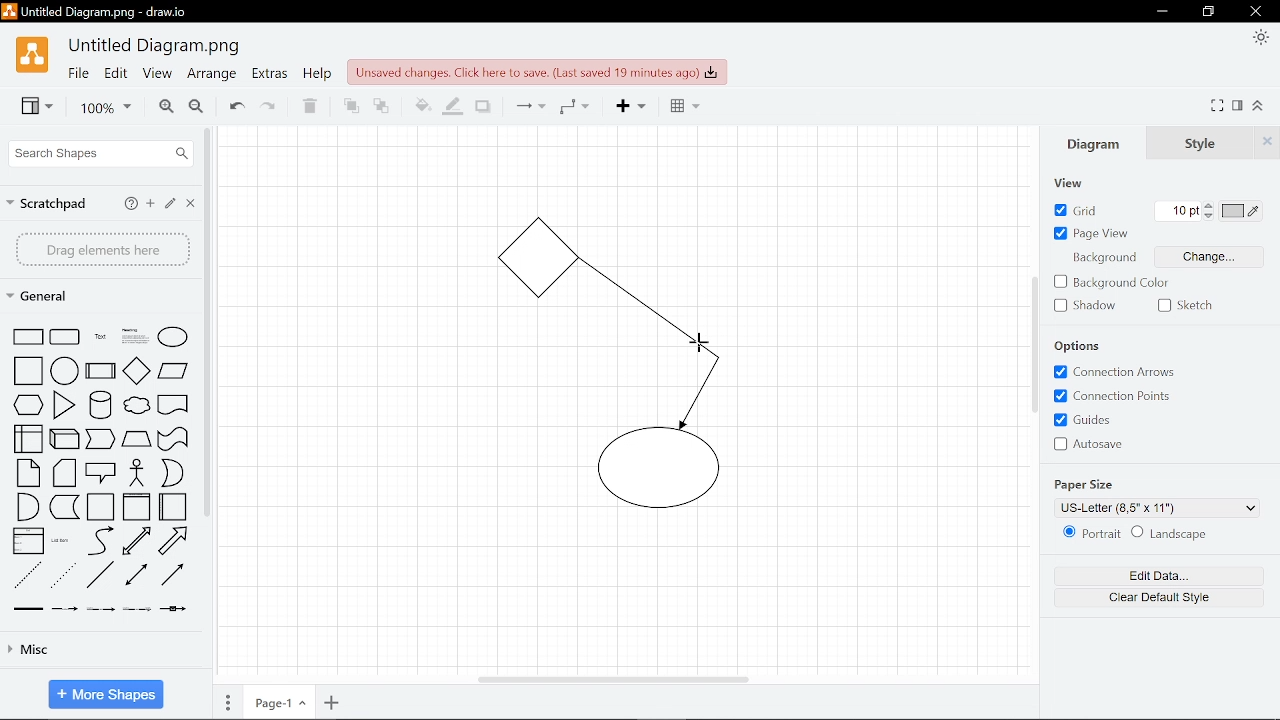  What do you see at coordinates (162, 107) in the screenshot?
I see `Zoom in` at bounding box center [162, 107].